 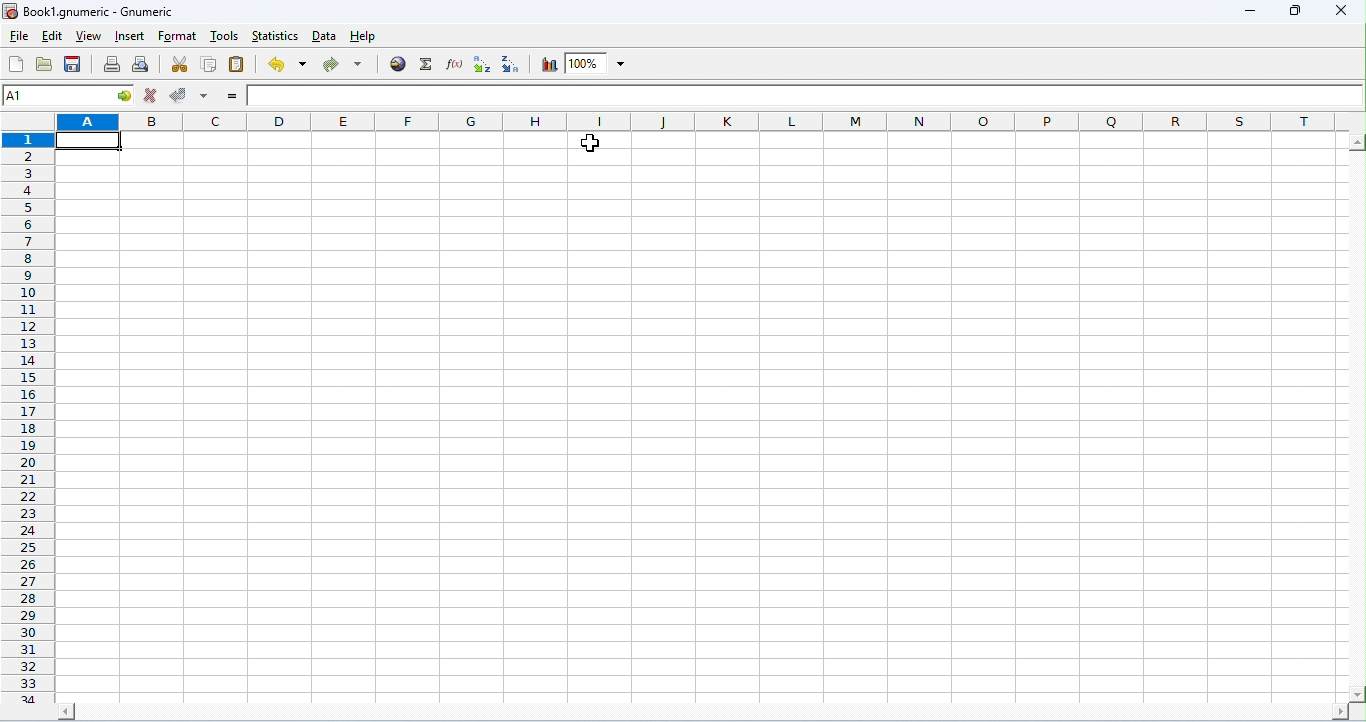 I want to click on space for horizontal scroll bar, so click(x=701, y=713).